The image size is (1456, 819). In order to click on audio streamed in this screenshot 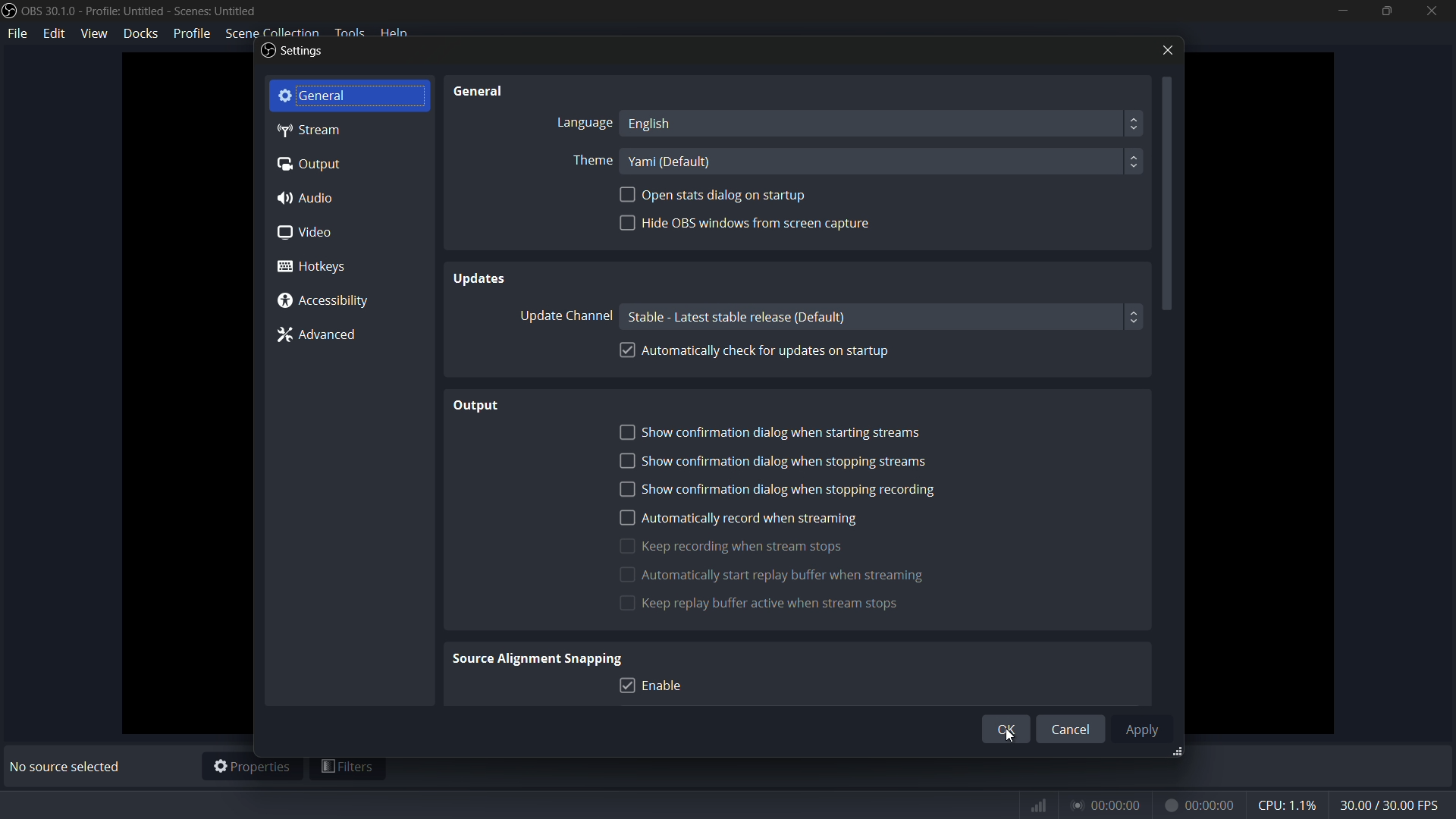, I will do `click(1111, 802)`.